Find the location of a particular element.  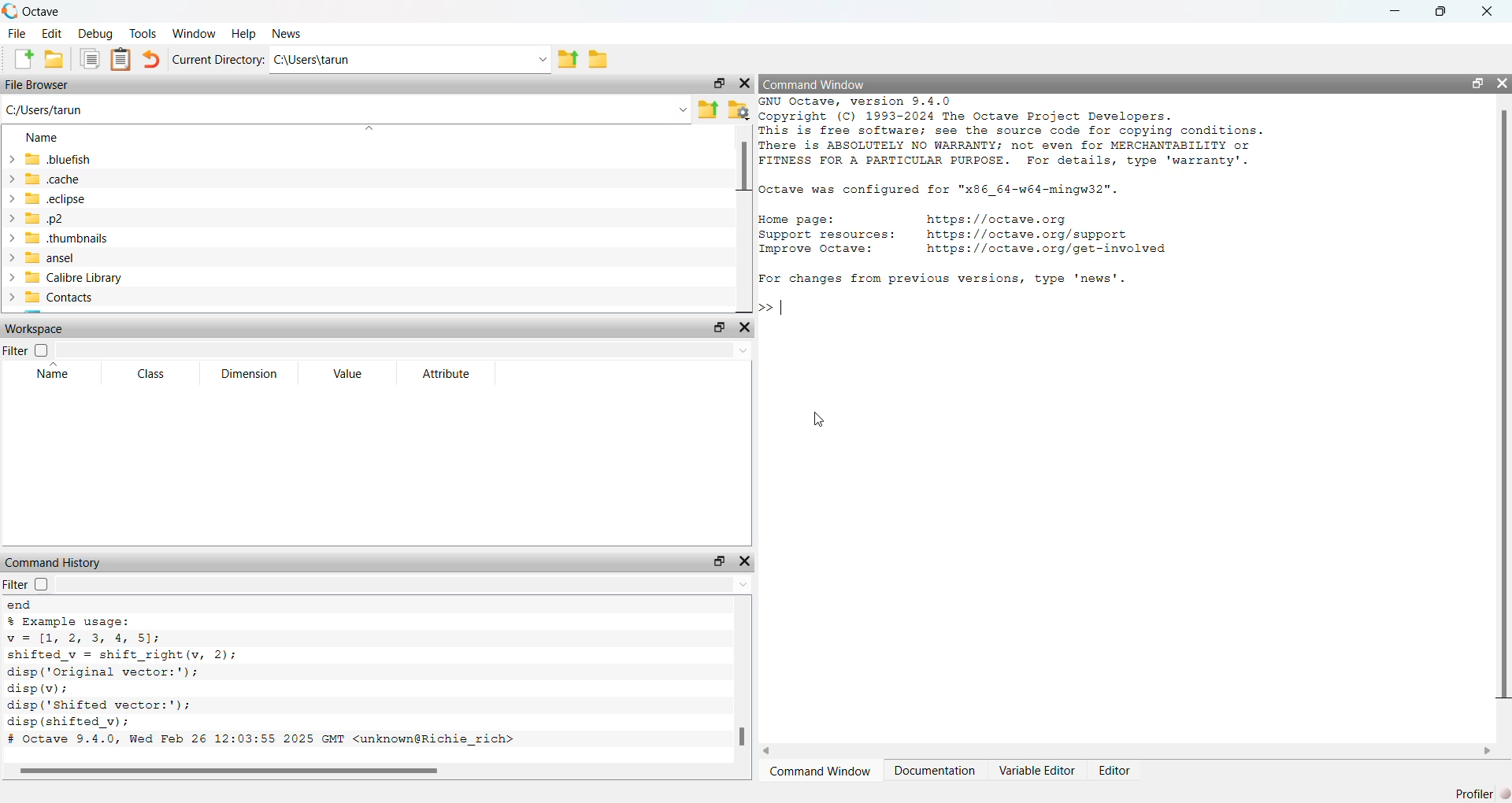

enter directory name is located at coordinates (411, 62).